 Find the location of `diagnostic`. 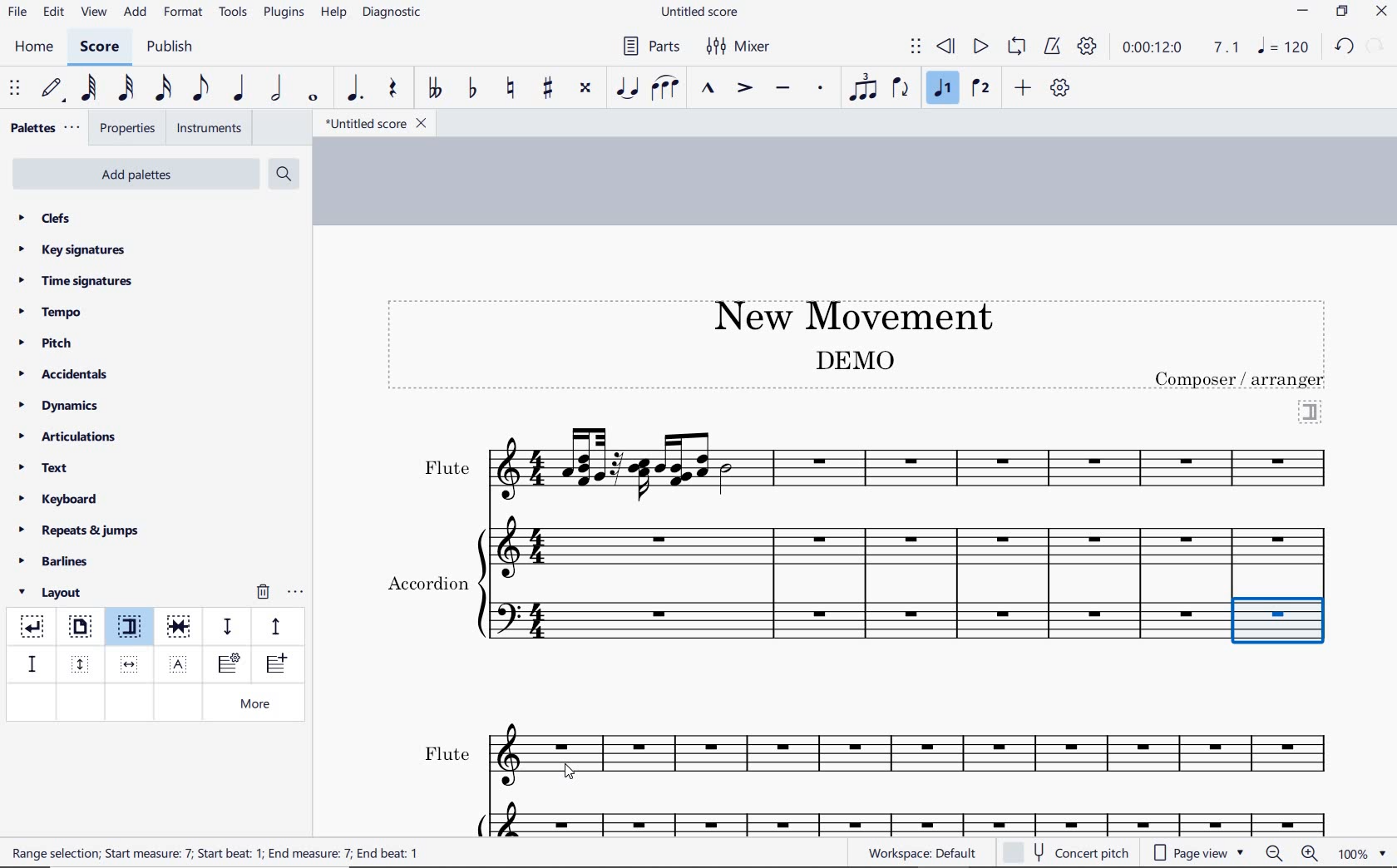

diagnostic is located at coordinates (394, 14).